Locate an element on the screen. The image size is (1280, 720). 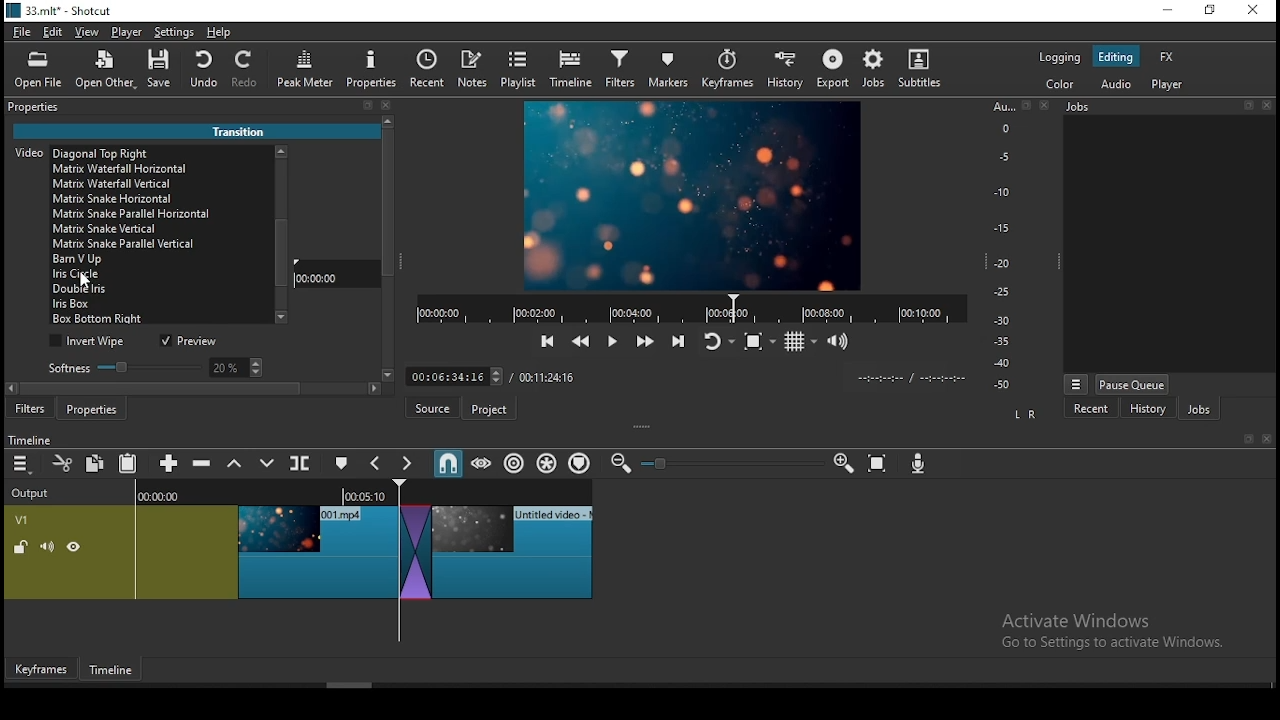
undo is located at coordinates (205, 70).